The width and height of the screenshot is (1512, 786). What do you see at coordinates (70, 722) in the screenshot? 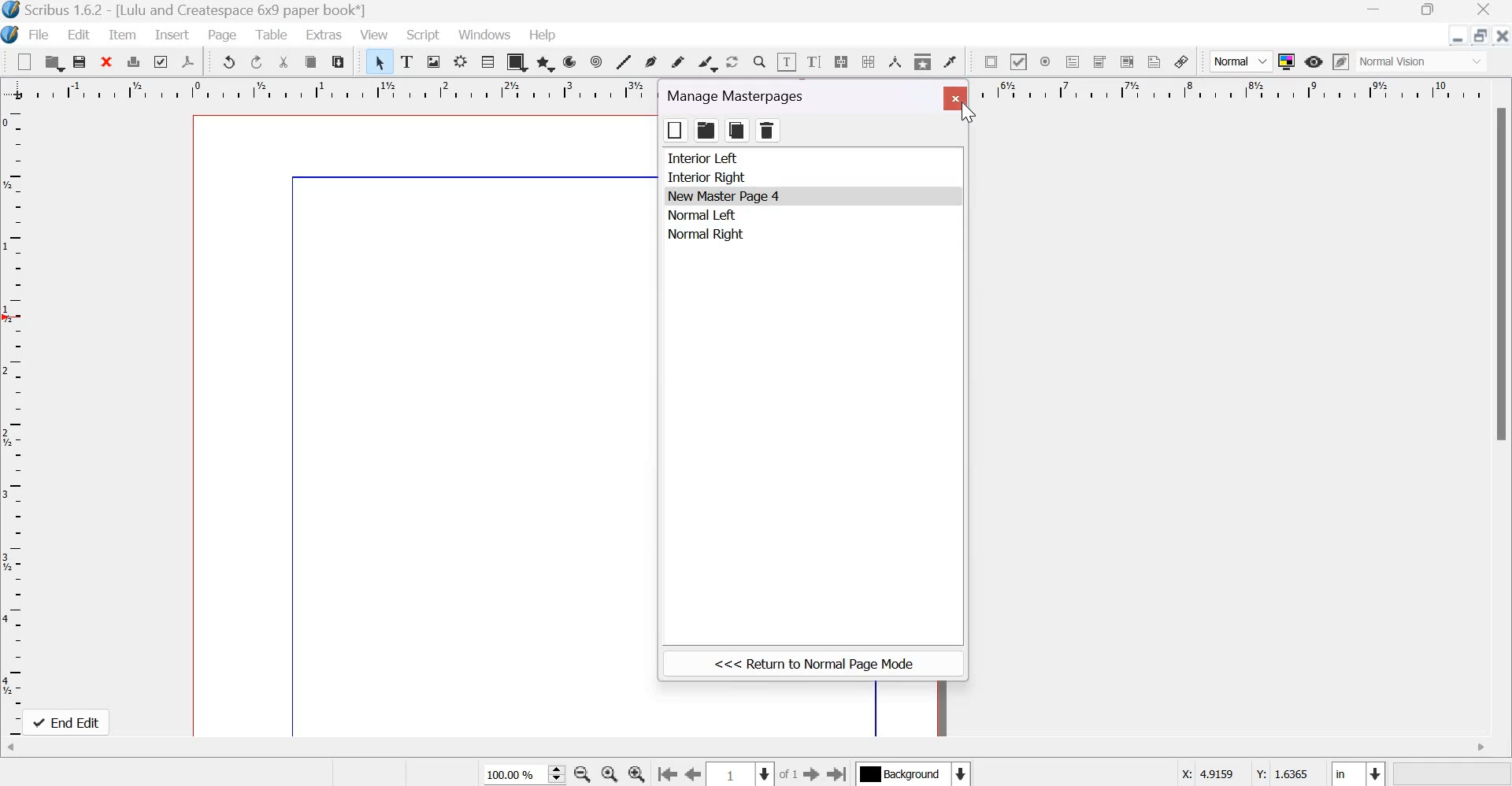
I see `end edit` at bounding box center [70, 722].